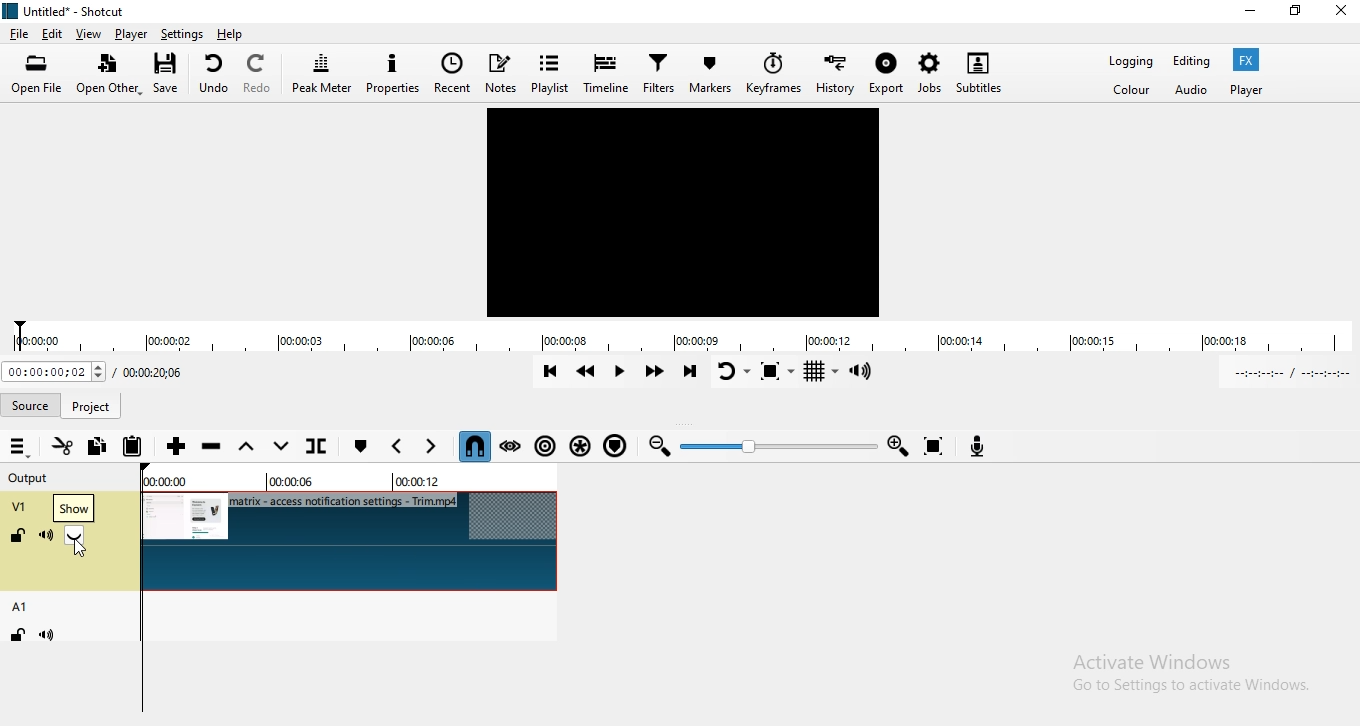  I want to click on Next marker, so click(434, 445).